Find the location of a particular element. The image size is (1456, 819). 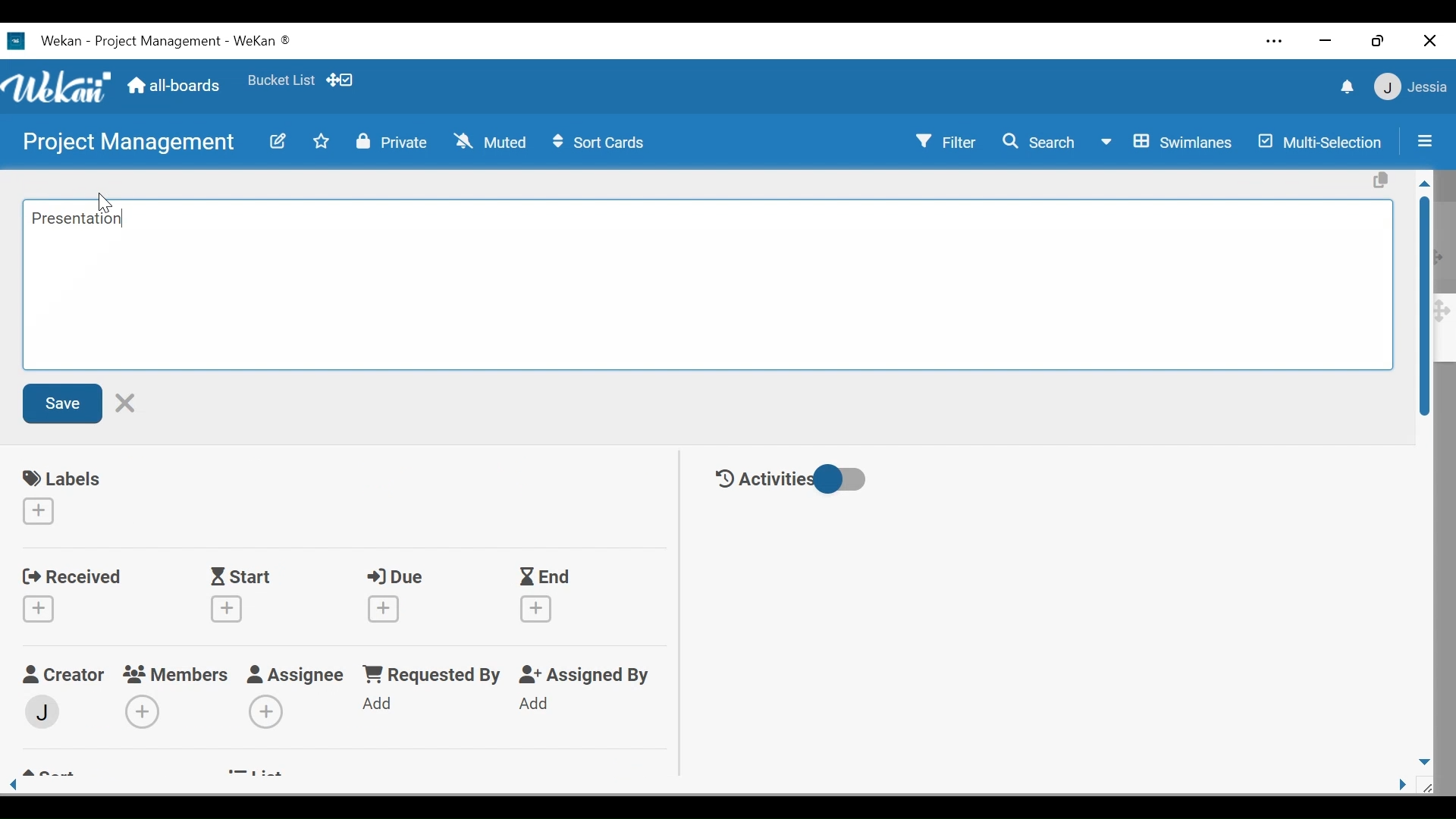

Requested by is located at coordinates (434, 675).